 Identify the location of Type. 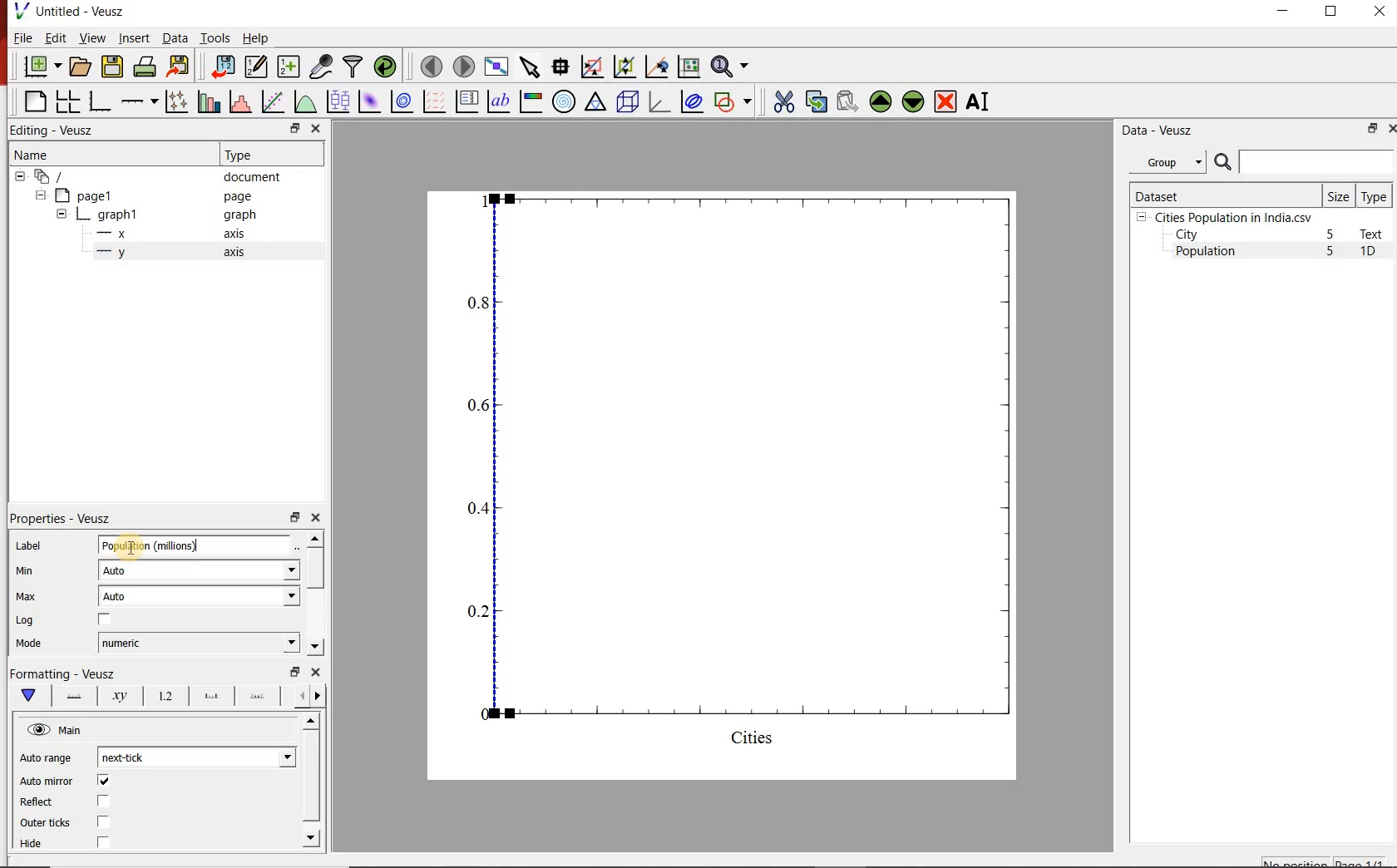
(1375, 195).